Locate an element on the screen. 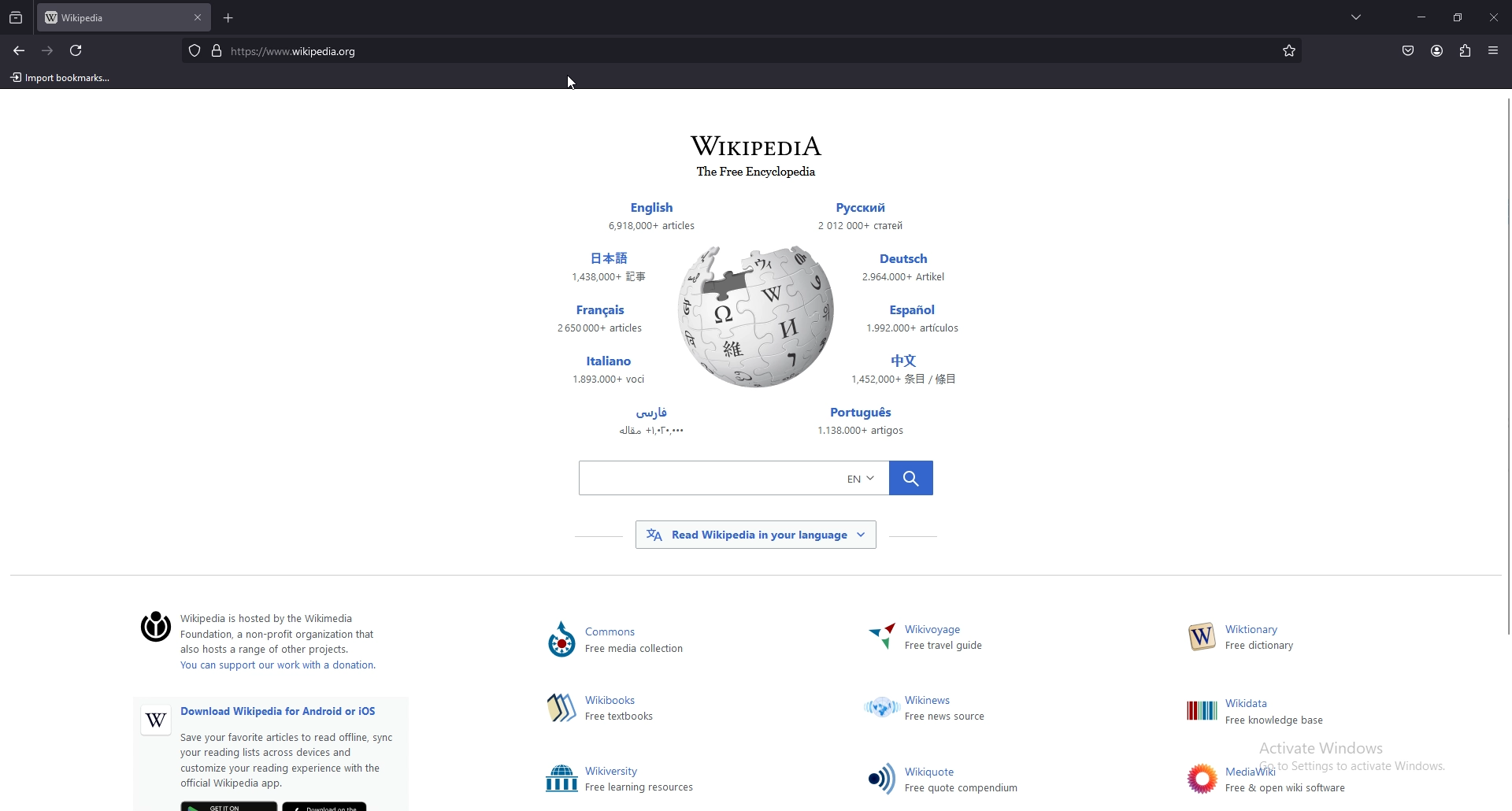 The width and height of the screenshot is (1512, 811). ‘Wikipedia is hosted by the Wikimedia

) Foundation, a non-profit organization that
also hosts a range of other projects.
You can support our work with a donation. is located at coordinates (291, 644).